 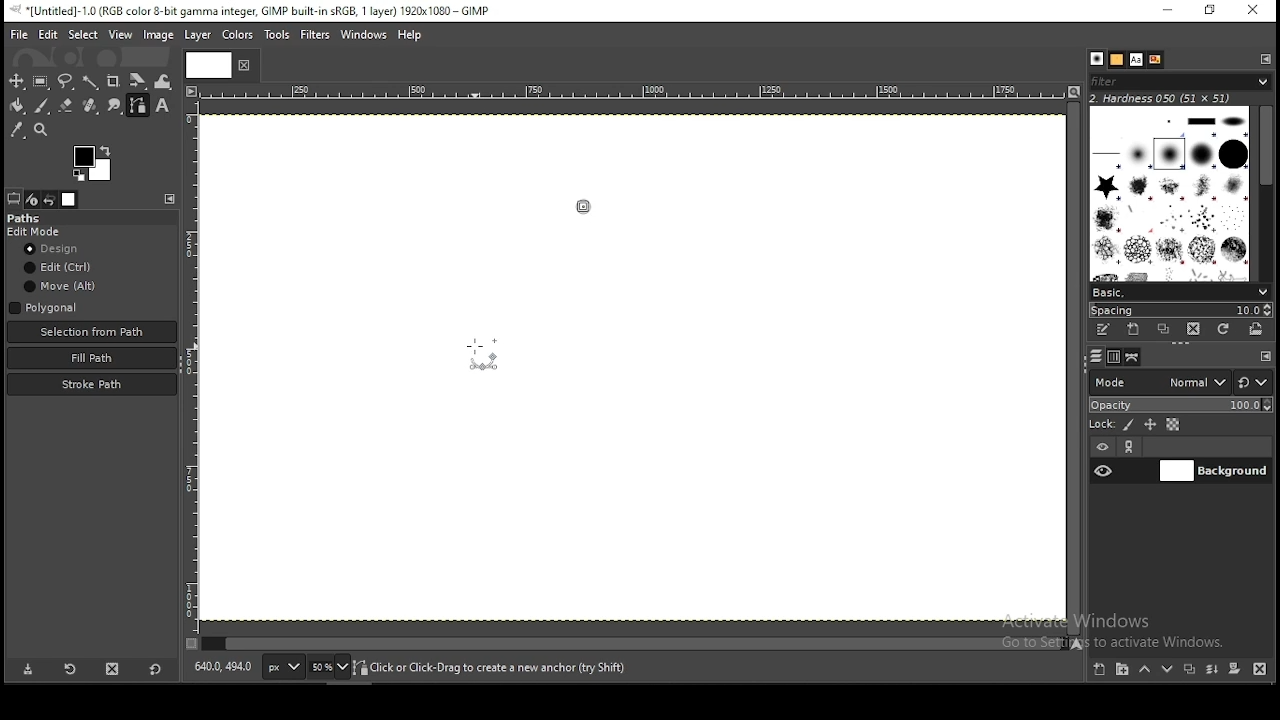 I want to click on fill path, so click(x=92, y=357).